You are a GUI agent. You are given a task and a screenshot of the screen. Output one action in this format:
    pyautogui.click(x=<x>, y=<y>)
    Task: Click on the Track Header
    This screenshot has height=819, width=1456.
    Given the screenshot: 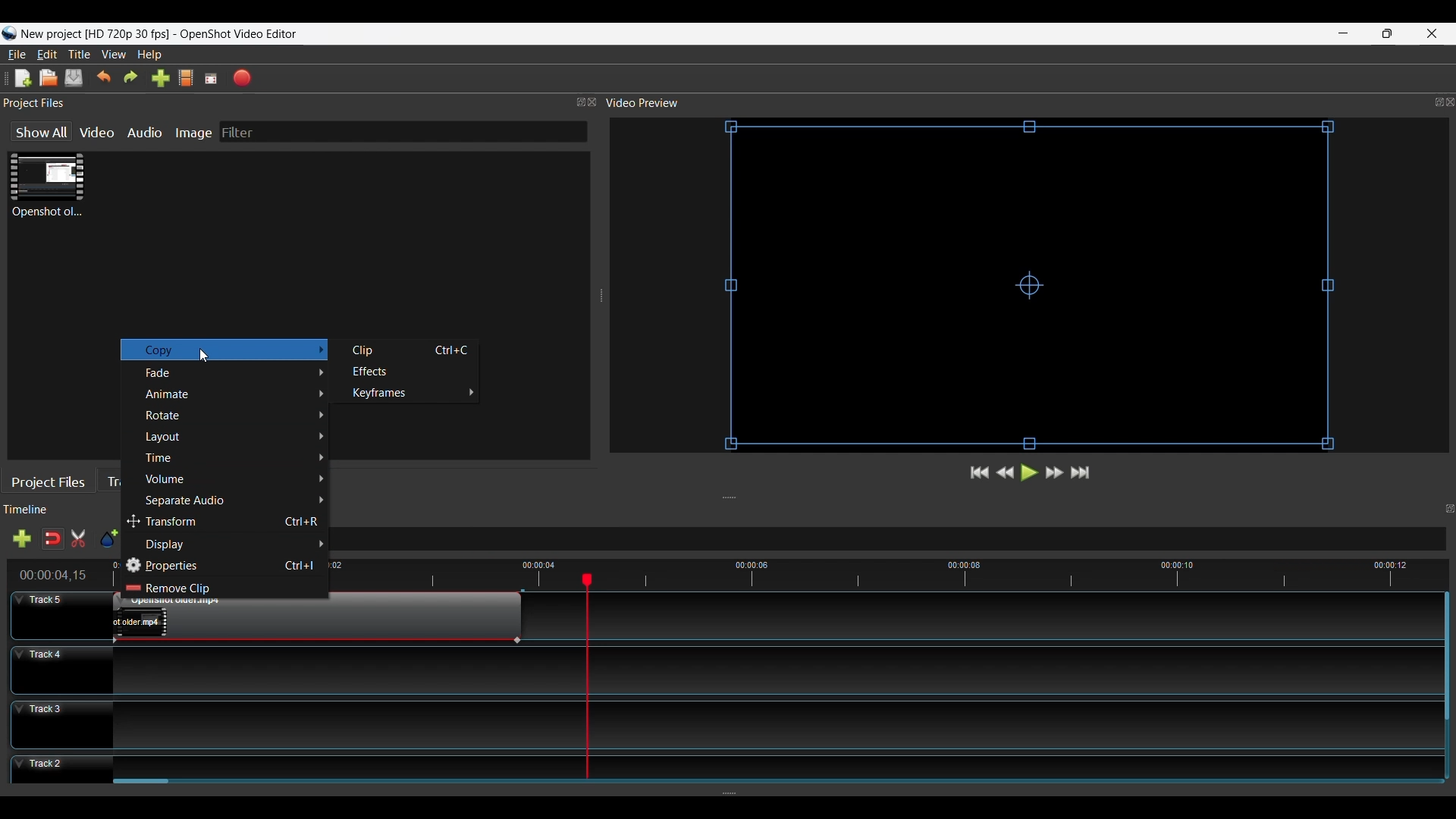 What is the action you would take?
    pyautogui.click(x=60, y=668)
    